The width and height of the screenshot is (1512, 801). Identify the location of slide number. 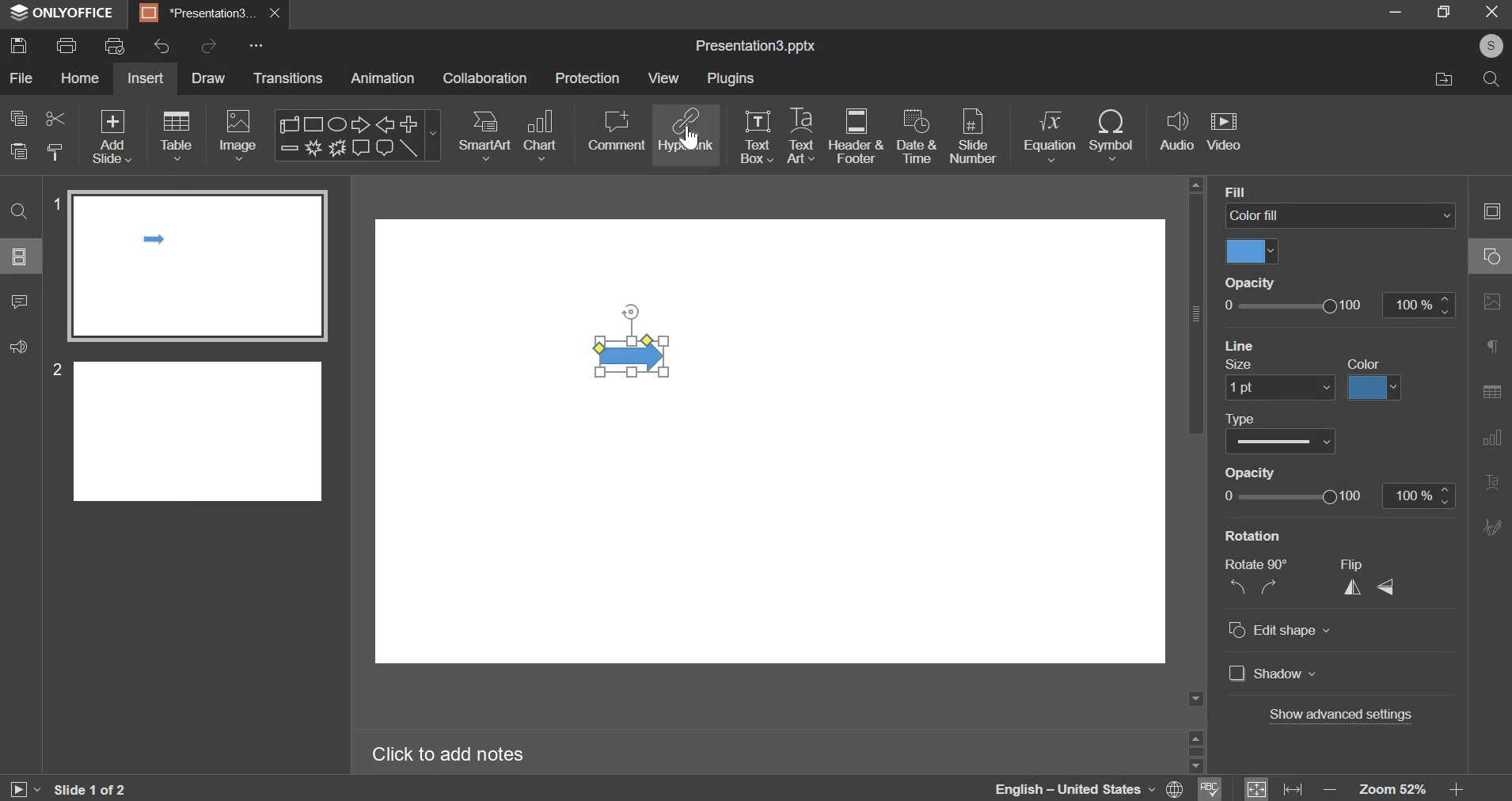
(53, 369).